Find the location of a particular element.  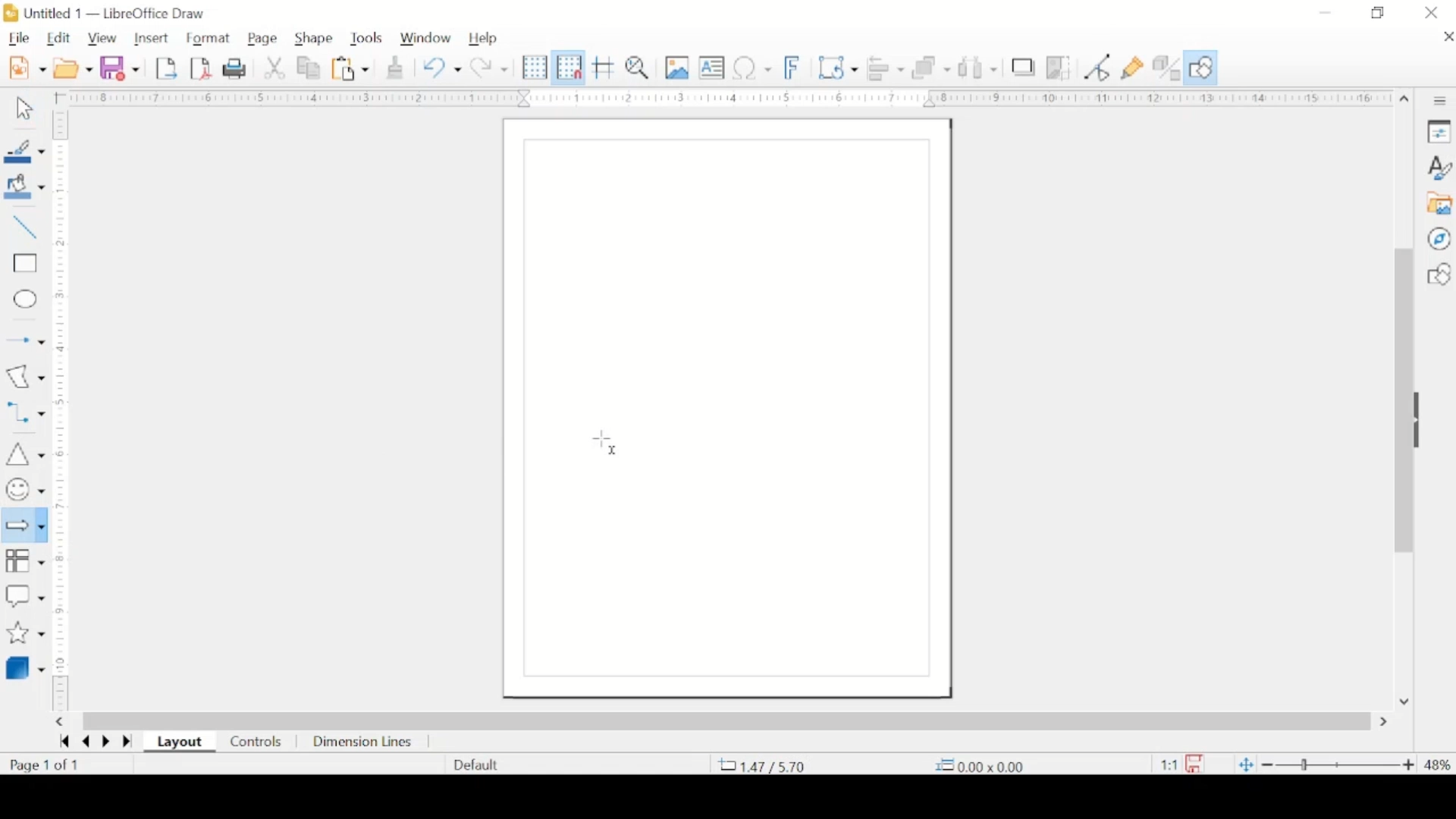

toggle extrusion is located at coordinates (1166, 67).